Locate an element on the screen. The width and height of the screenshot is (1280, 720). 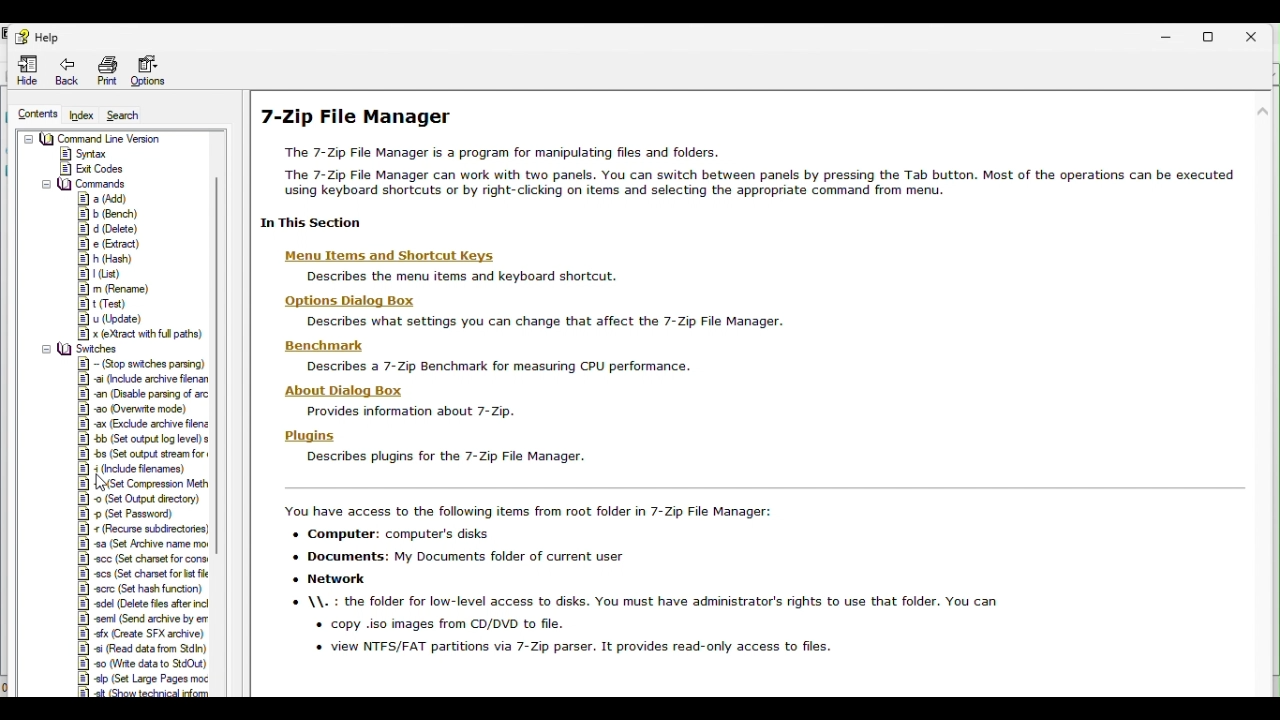
Set password is located at coordinates (133, 515).